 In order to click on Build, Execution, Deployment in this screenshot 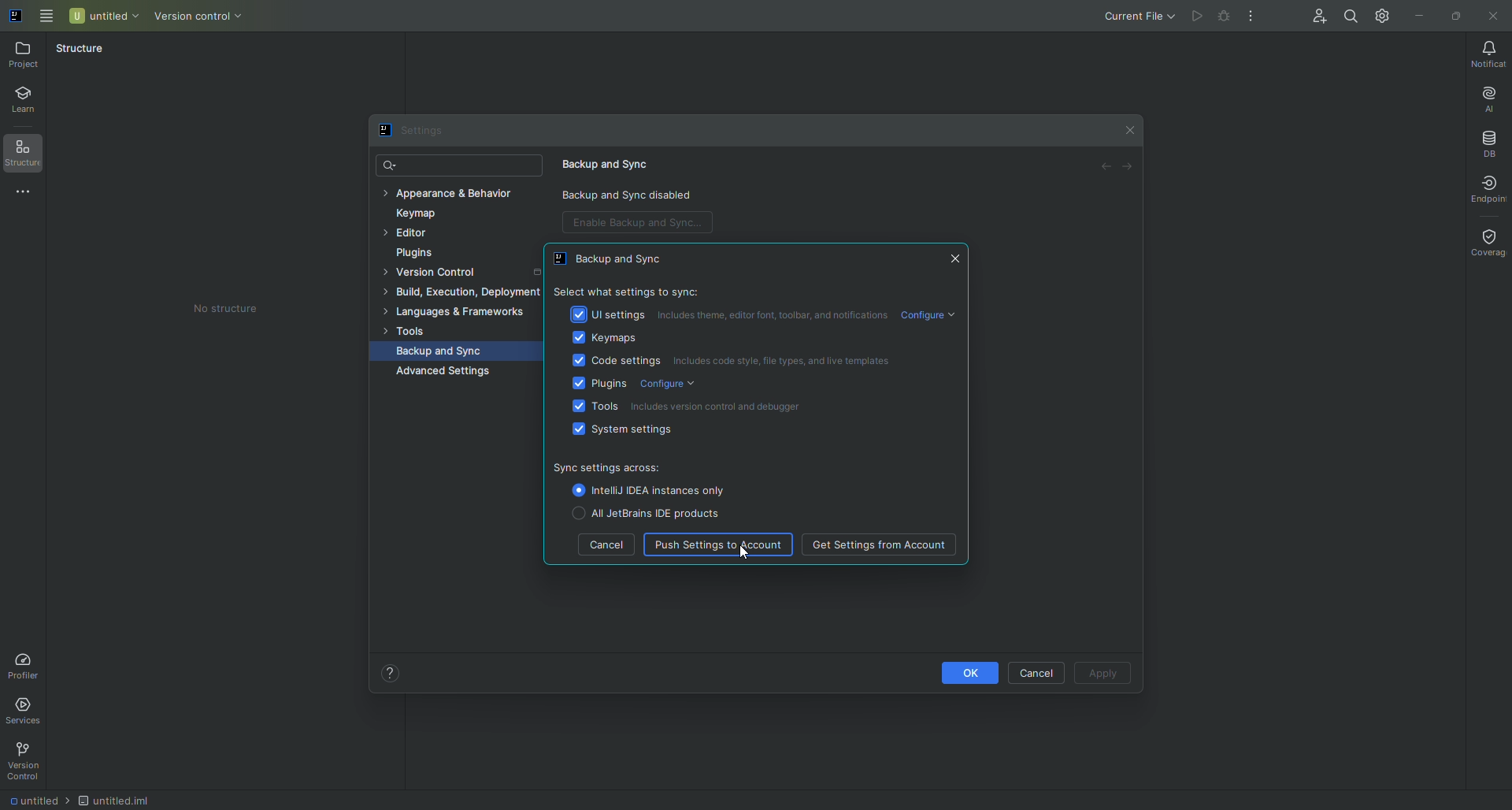, I will do `click(465, 292)`.